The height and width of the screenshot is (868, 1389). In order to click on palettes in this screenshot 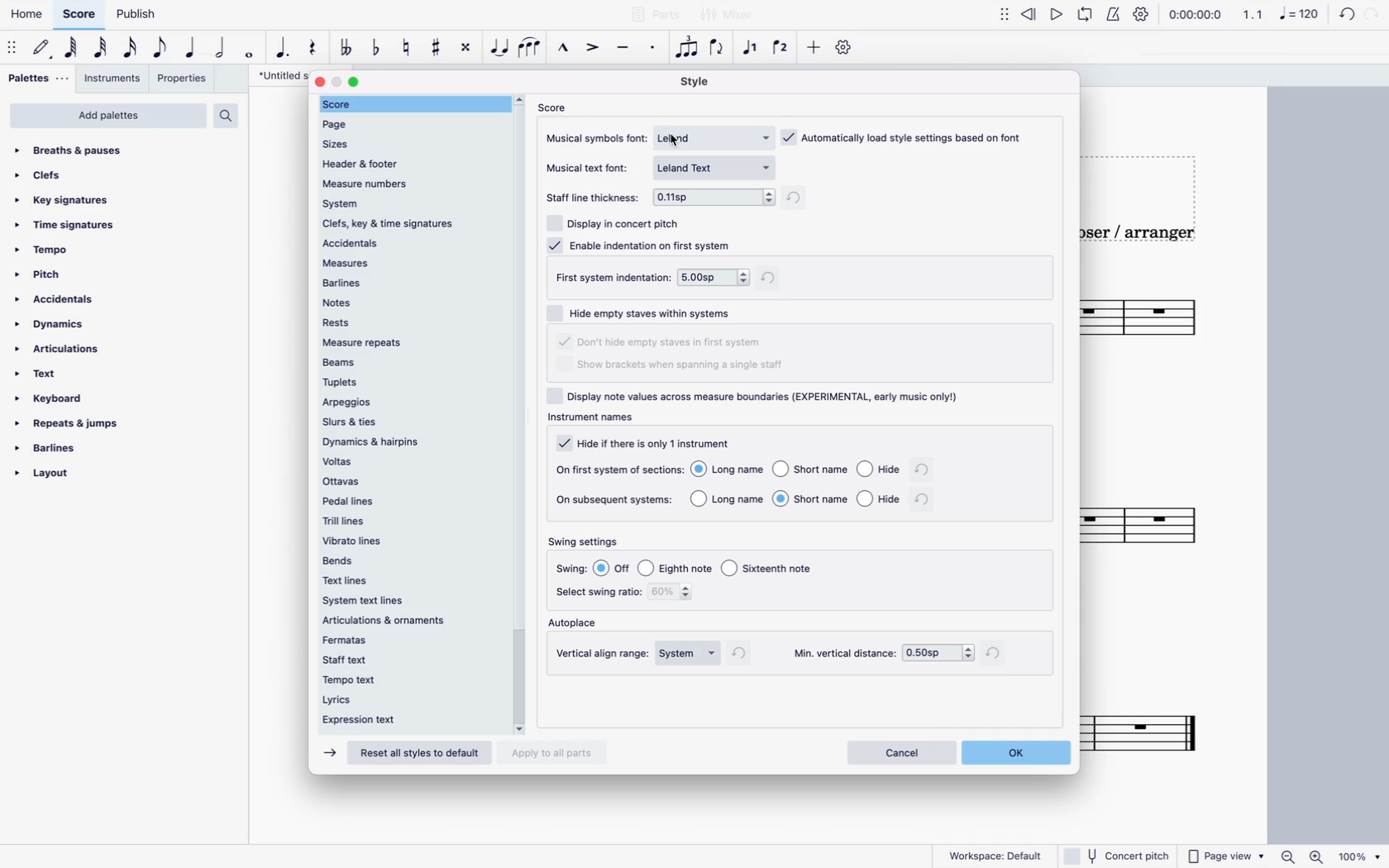, I will do `click(39, 78)`.